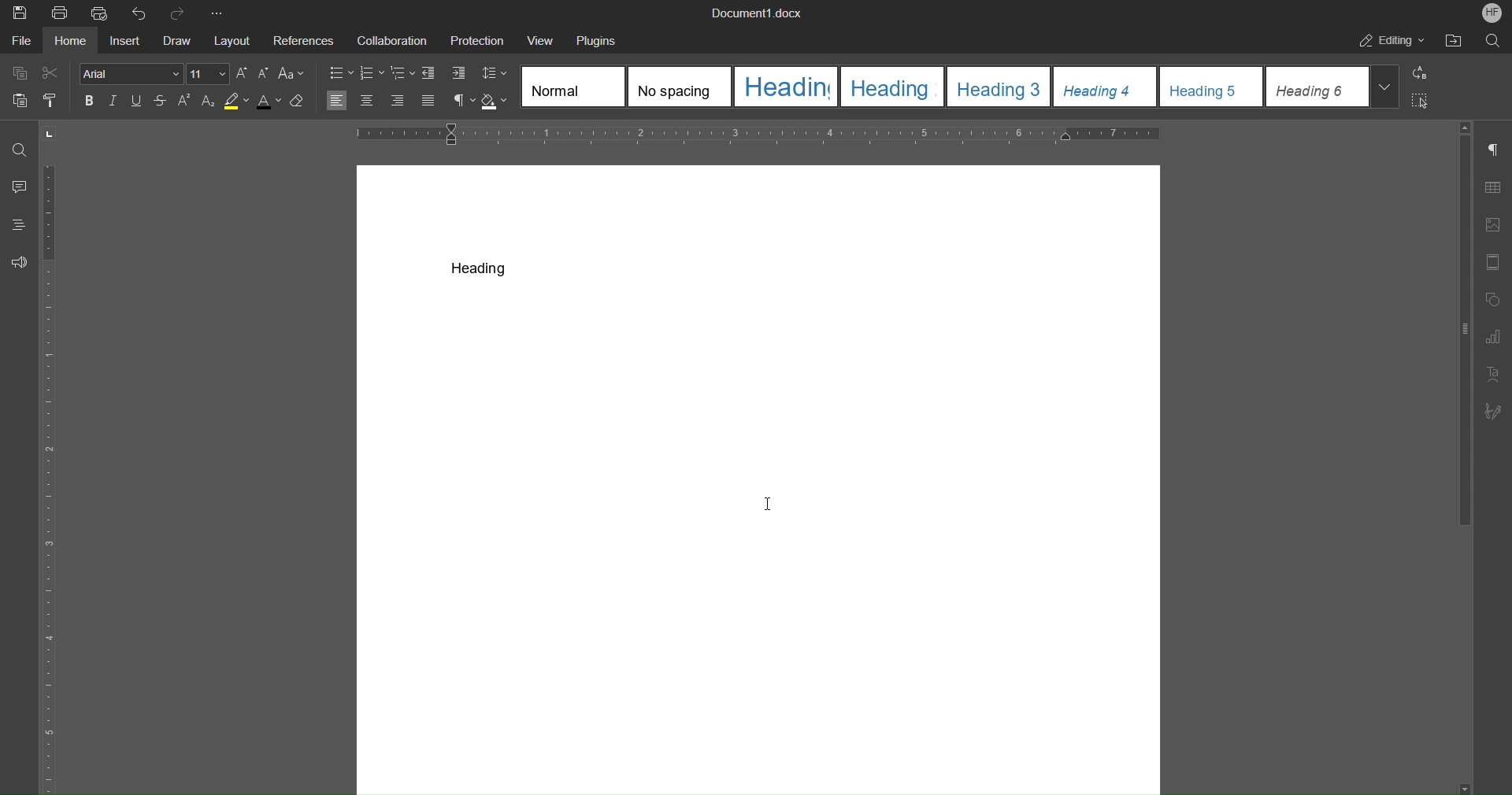  What do you see at coordinates (398, 102) in the screenshot?
I see `Right Align` at bounding box center [398, 102].